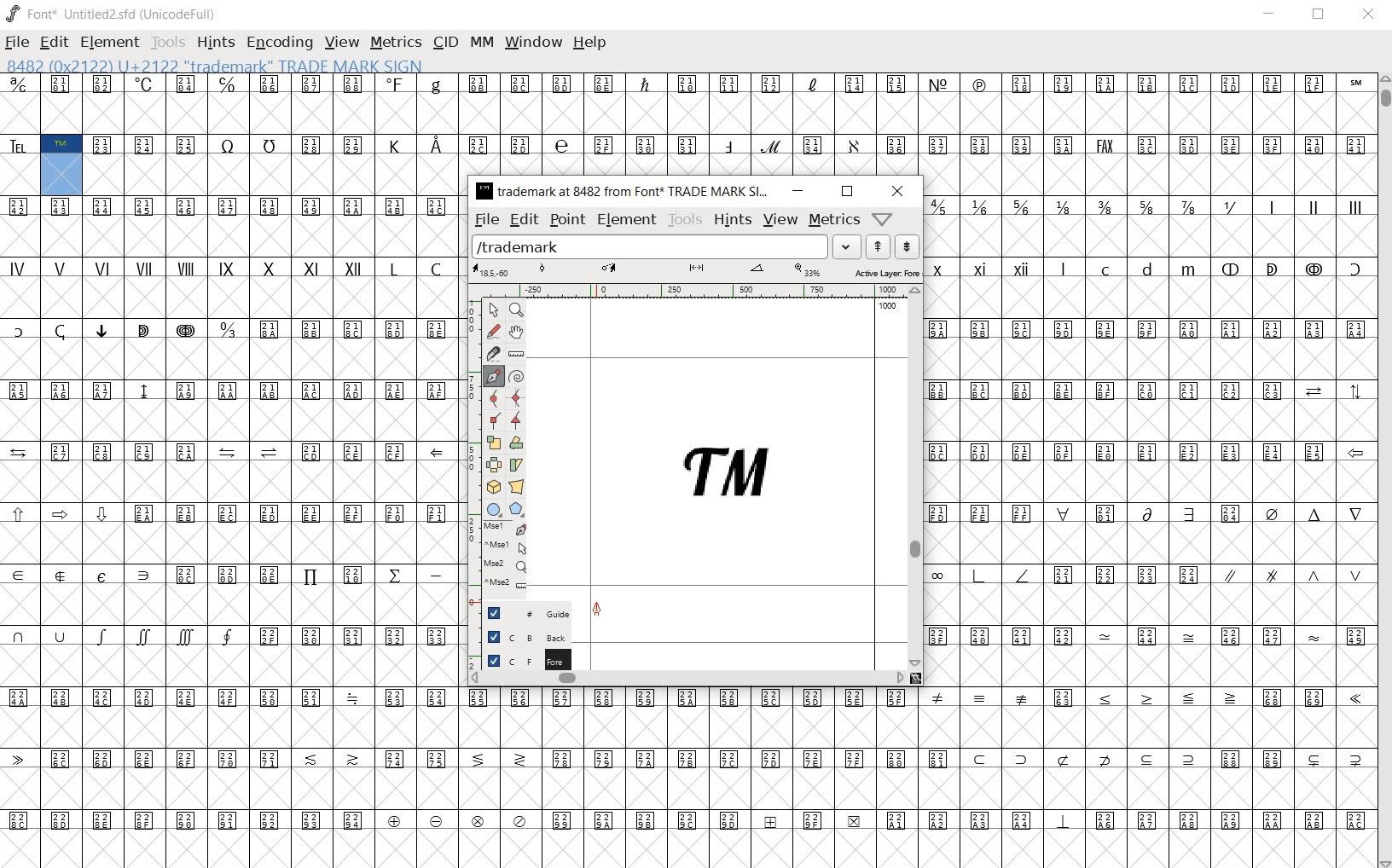 The height and width of the screenshot is (868, 1392). What do you see at coordinates (123, 349) in the screenshot?
I see `special characters` at bounding box center [123, 349].